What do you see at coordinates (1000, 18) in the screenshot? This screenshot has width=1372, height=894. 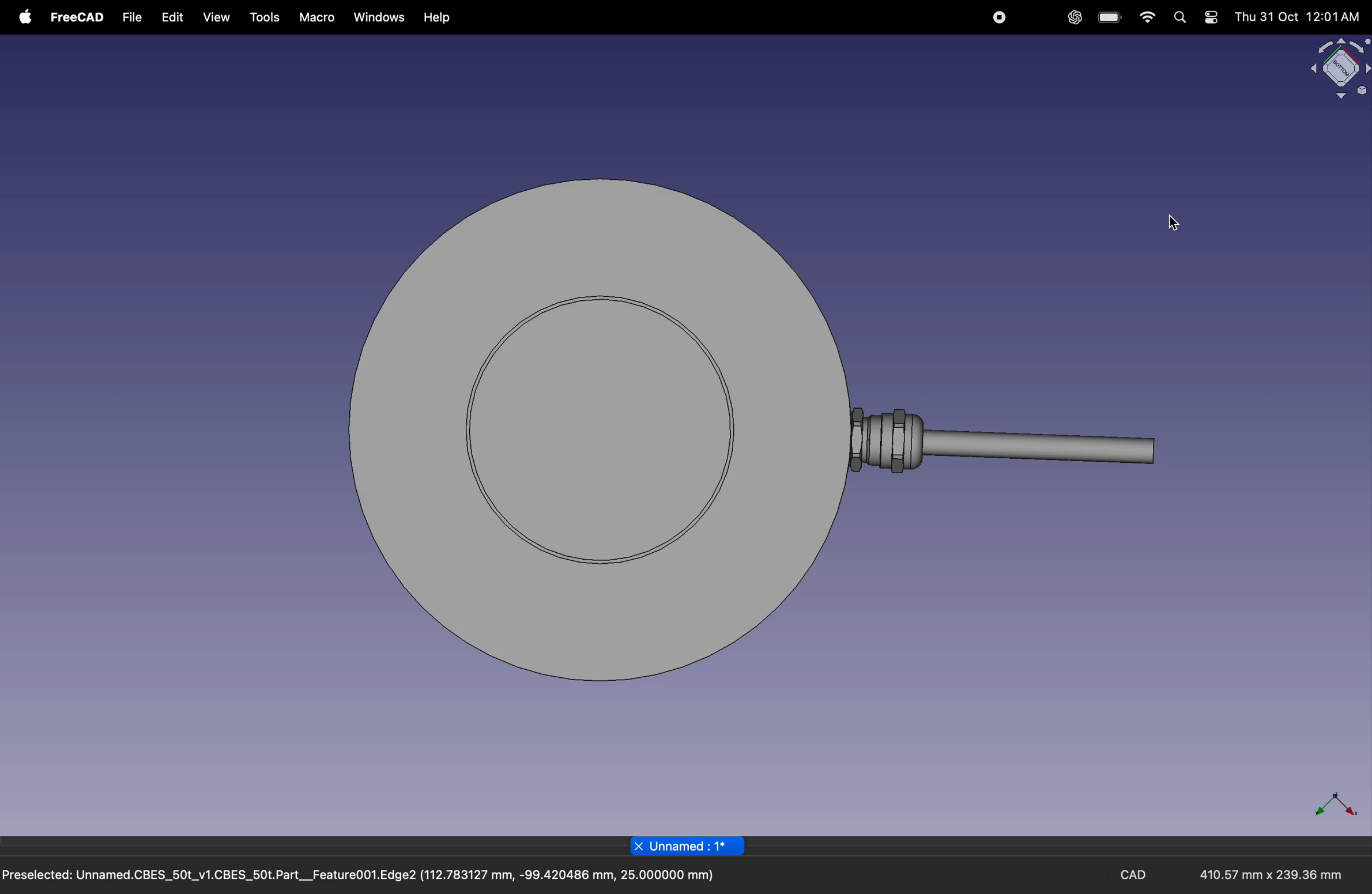 I see `record` at bounding box center [1000, 18].